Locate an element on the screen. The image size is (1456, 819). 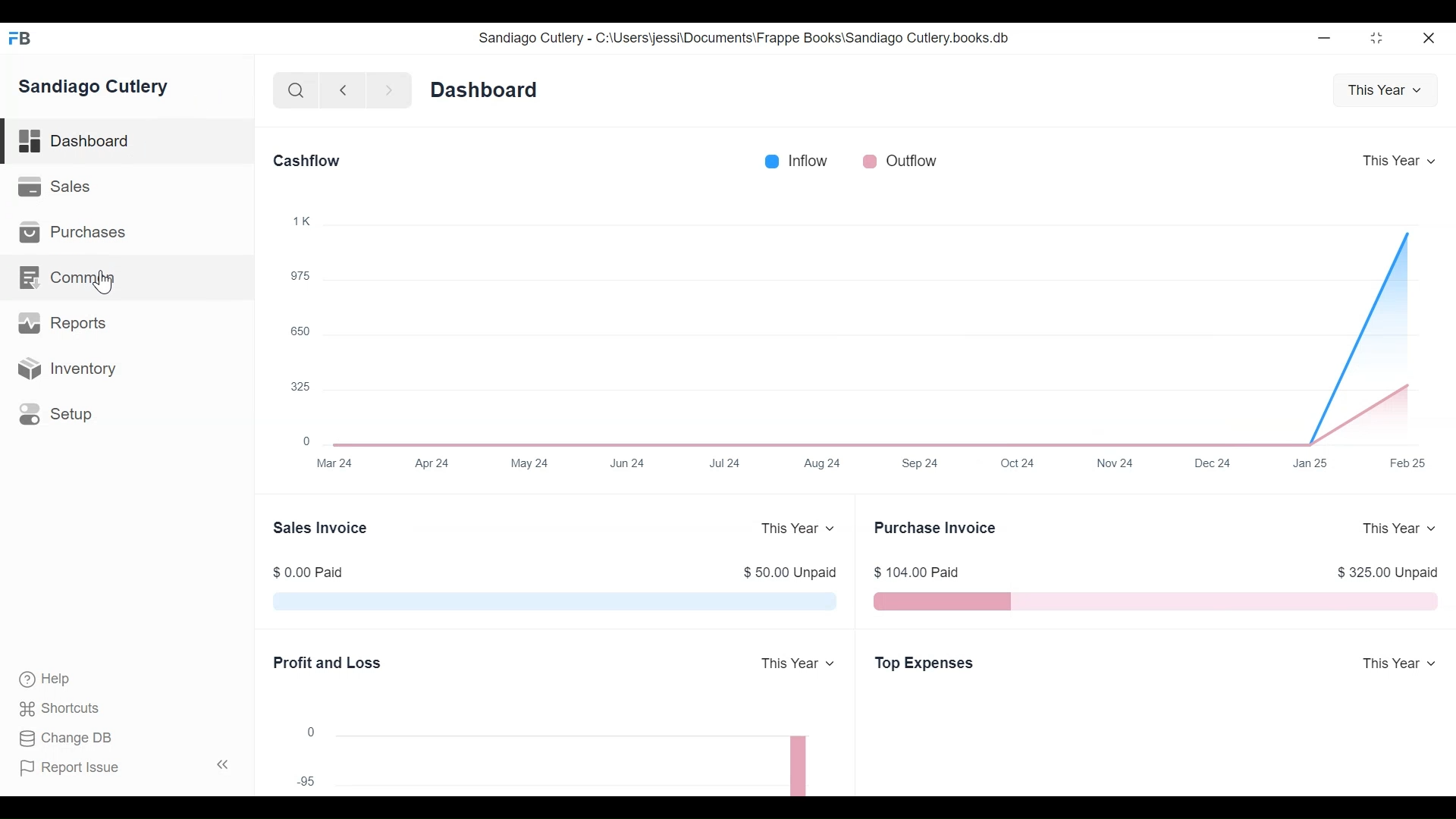
$ 50.00 Unpaid is located at coordinates (790, 573).